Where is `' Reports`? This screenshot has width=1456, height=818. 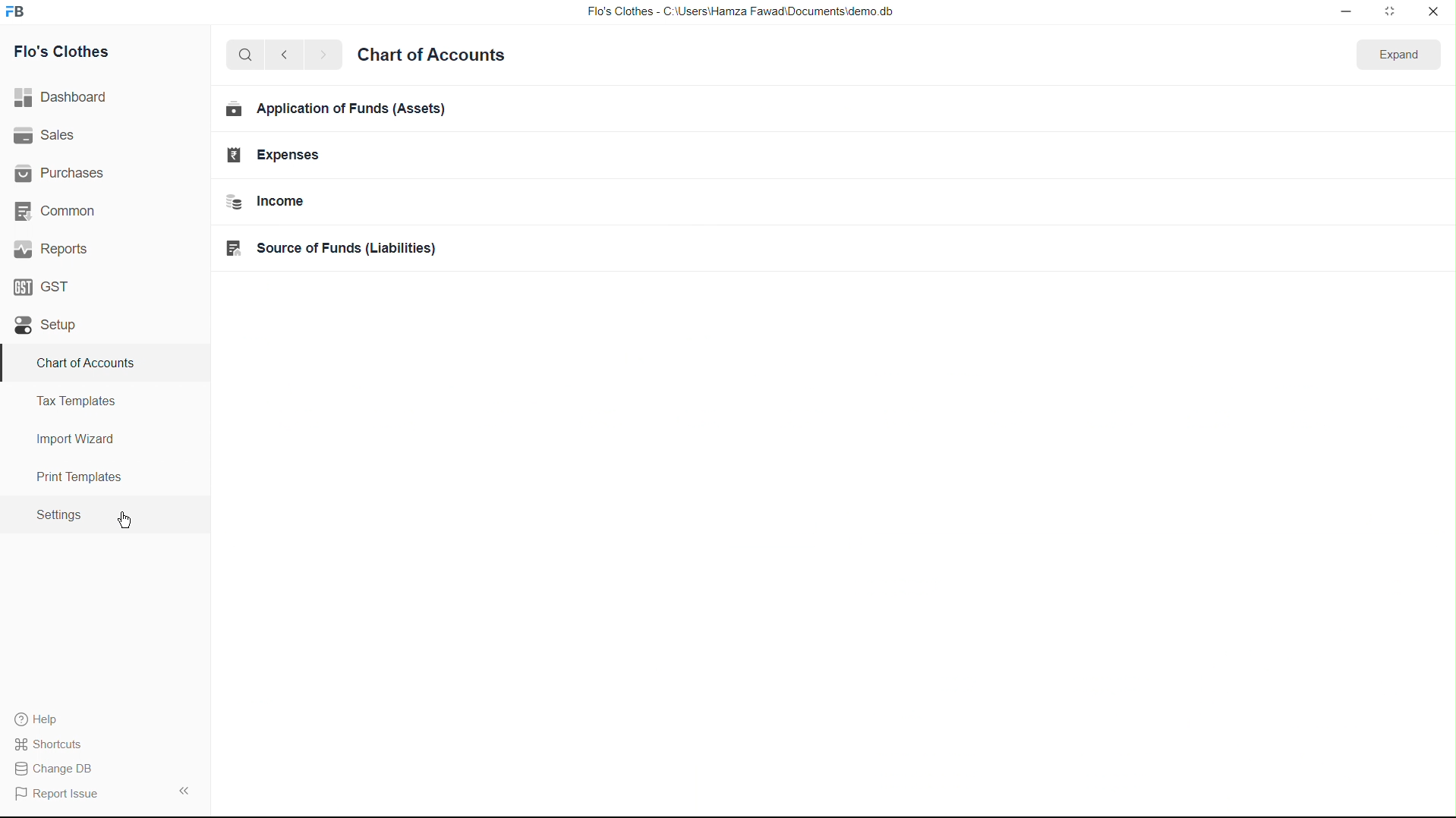
' Reports is located at coordinates (54, 248).